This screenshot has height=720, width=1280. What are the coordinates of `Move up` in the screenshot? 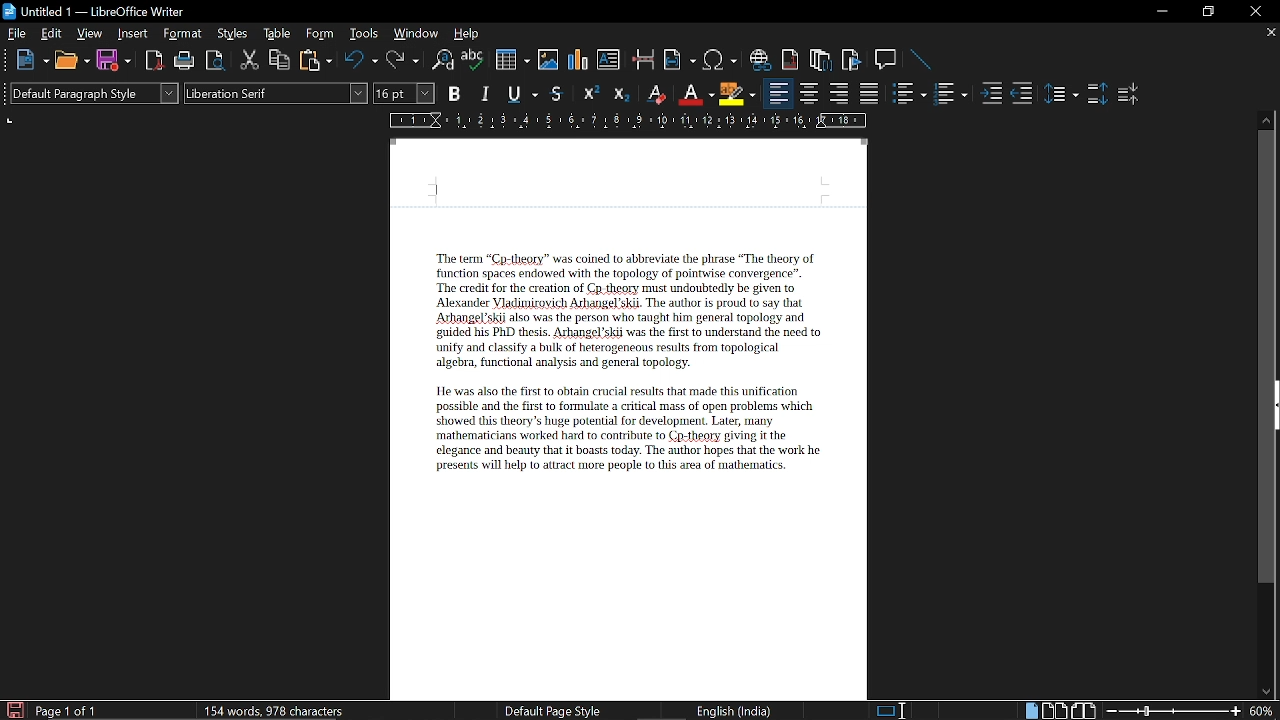 It's located at (1267, 118).